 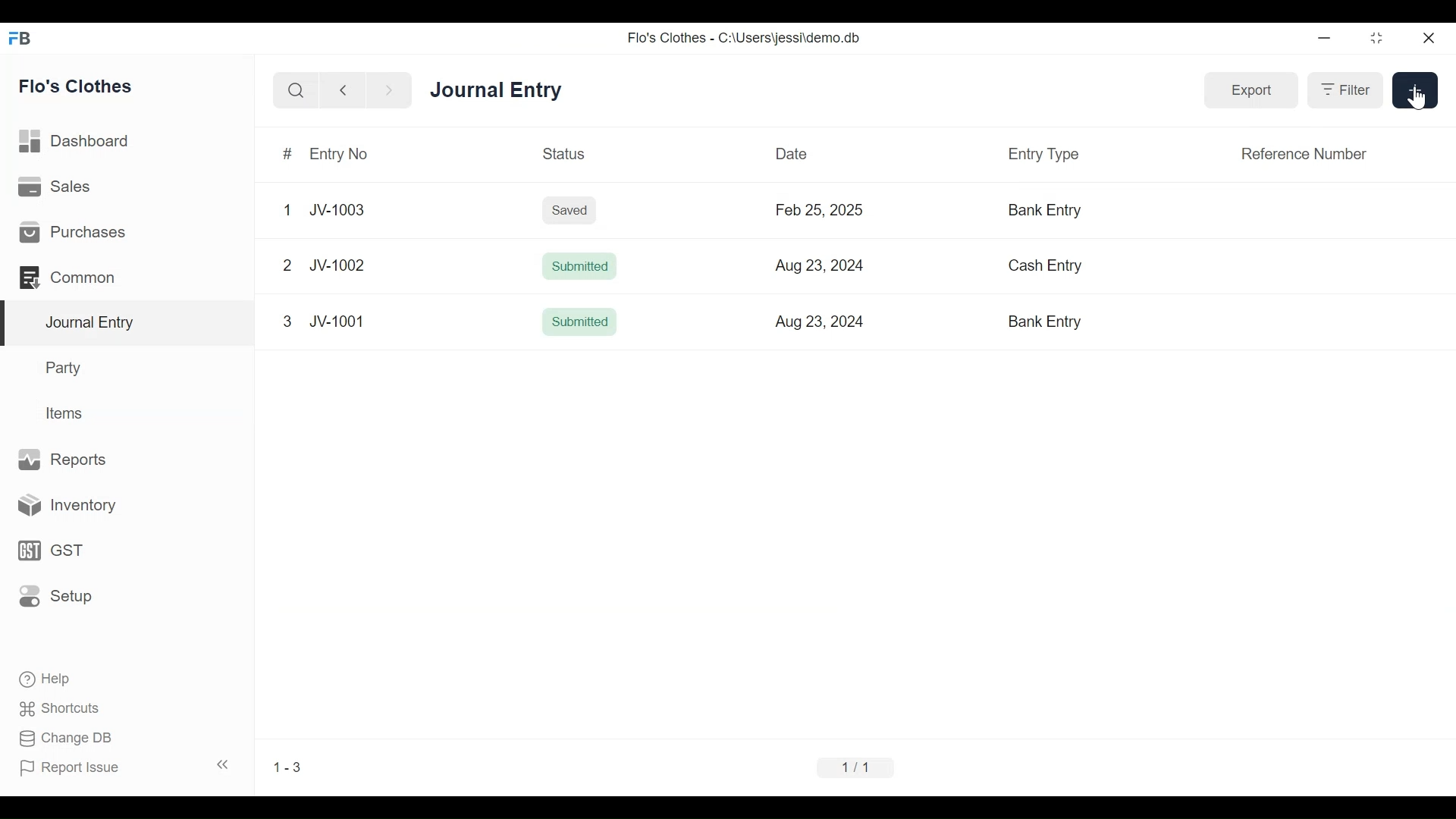 I want to click on Common, so click(x=70, y=277).